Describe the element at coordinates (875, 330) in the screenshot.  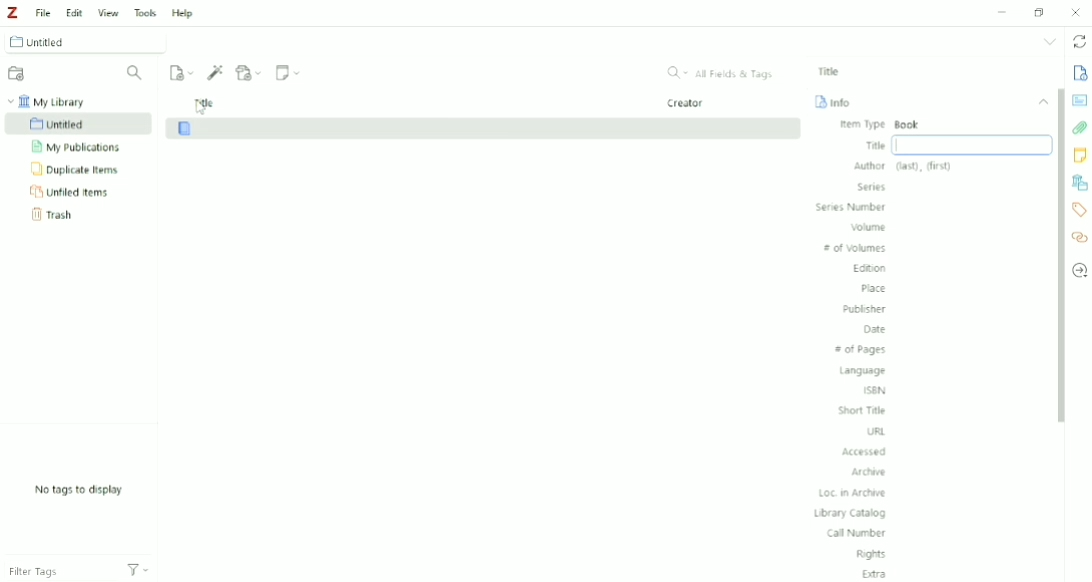
I see `Date` at that location.